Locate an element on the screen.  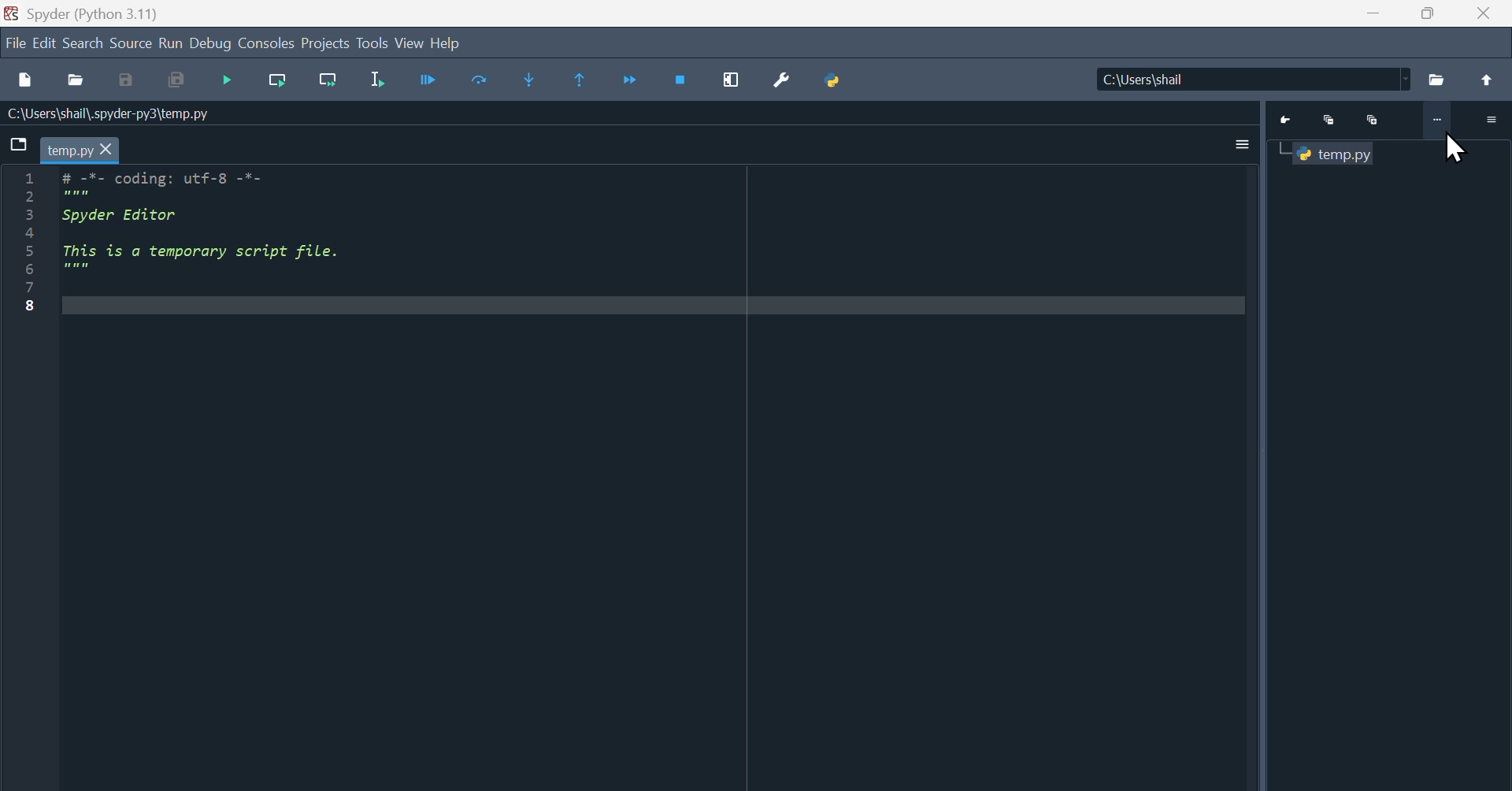
Up to is located at coordinates (1491, 80).